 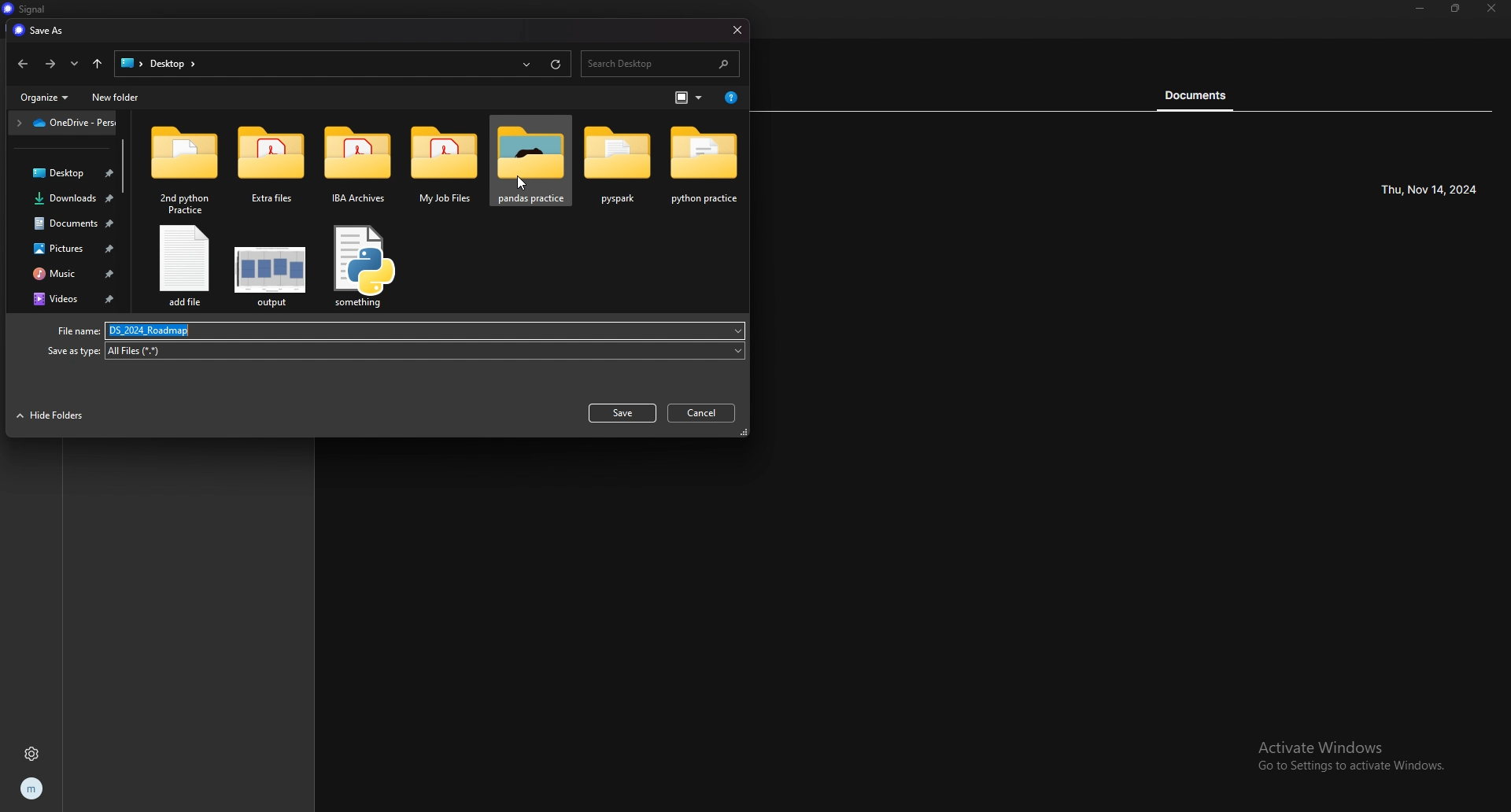 I want to click on file, so click(x=183, y=267).